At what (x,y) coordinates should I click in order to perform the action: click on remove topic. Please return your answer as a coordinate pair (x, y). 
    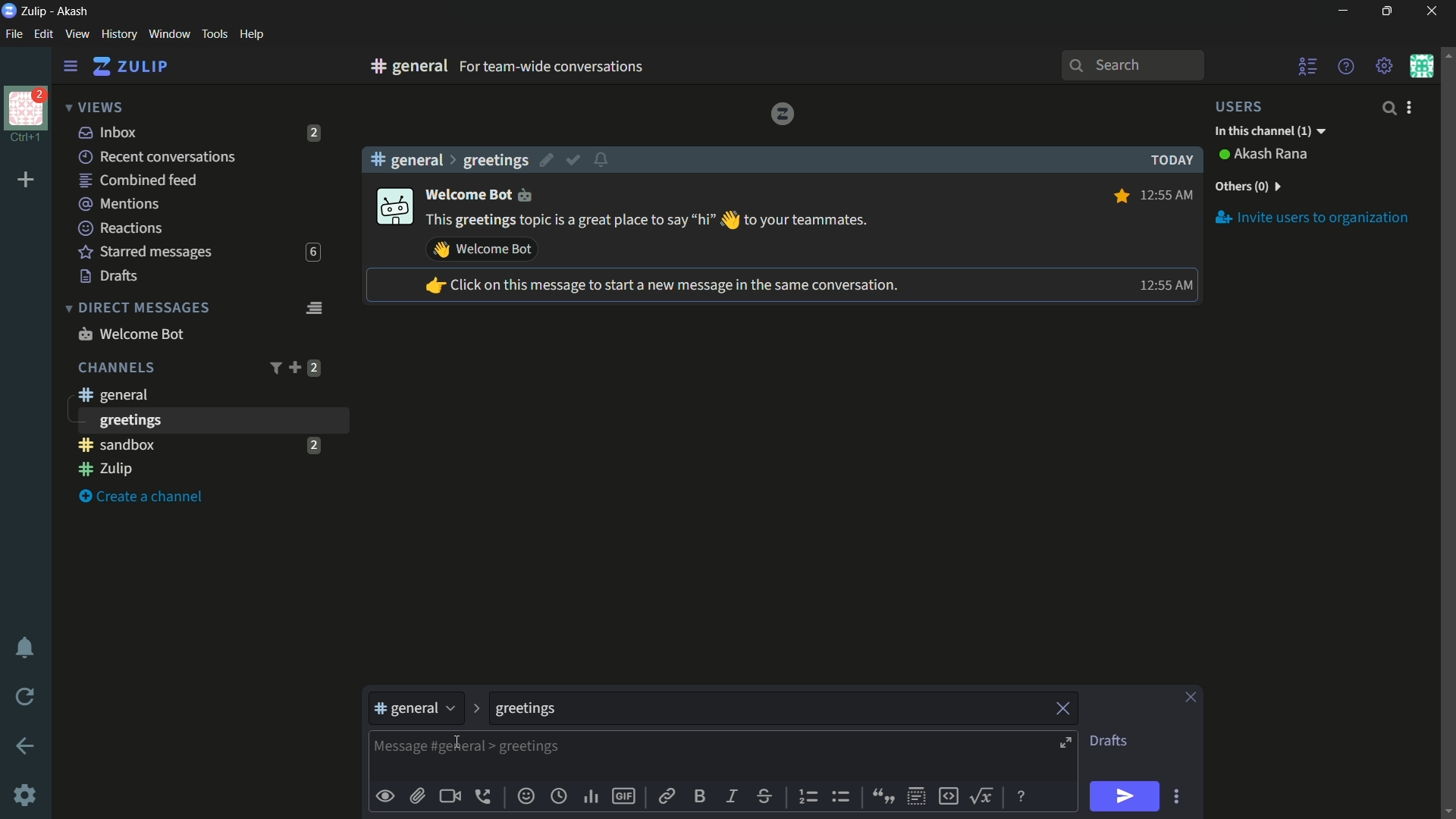
    Looking at the image, I should click on (1065, 707).